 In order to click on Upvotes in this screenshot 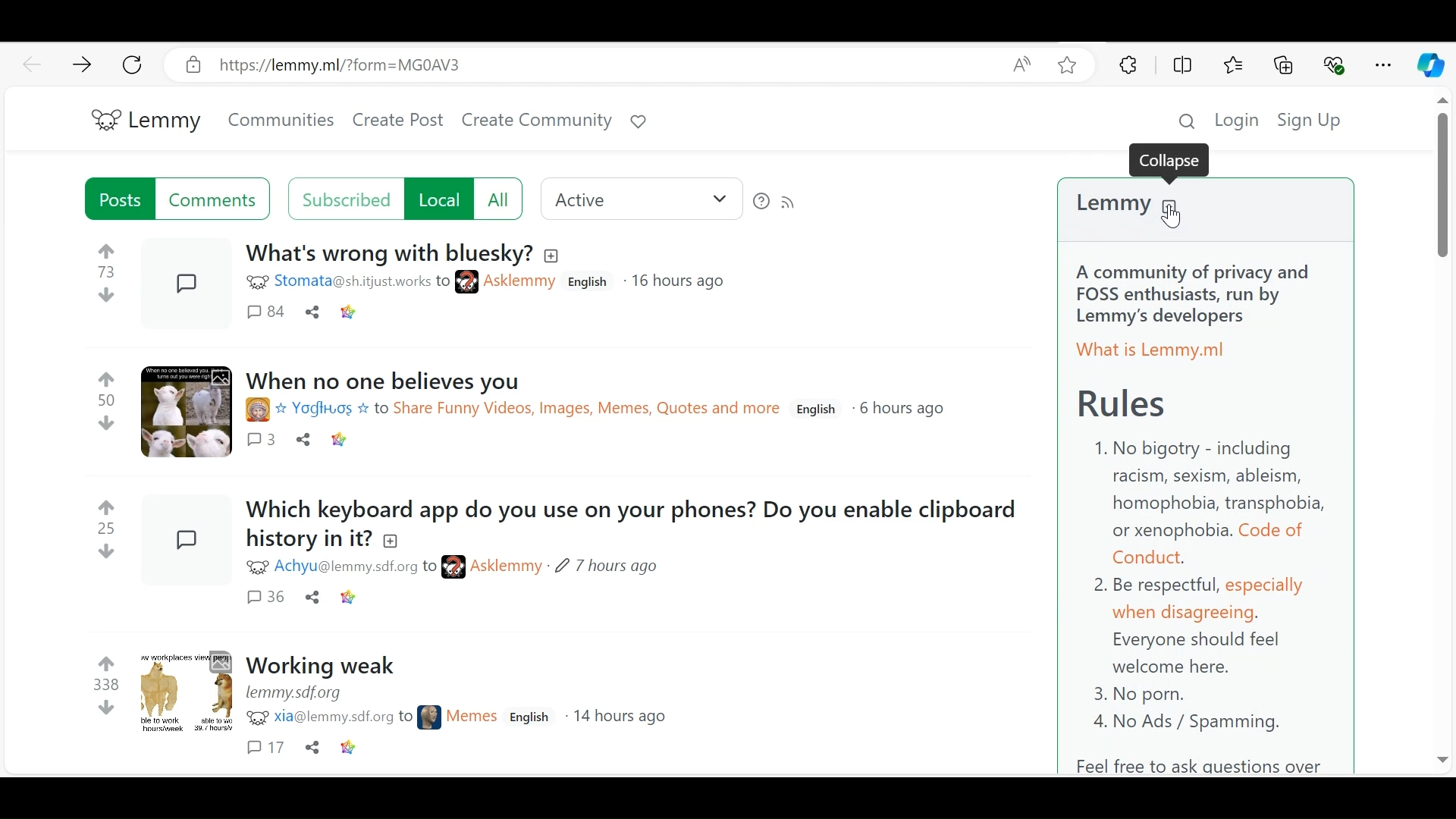, I will do `click(110, 506)`.